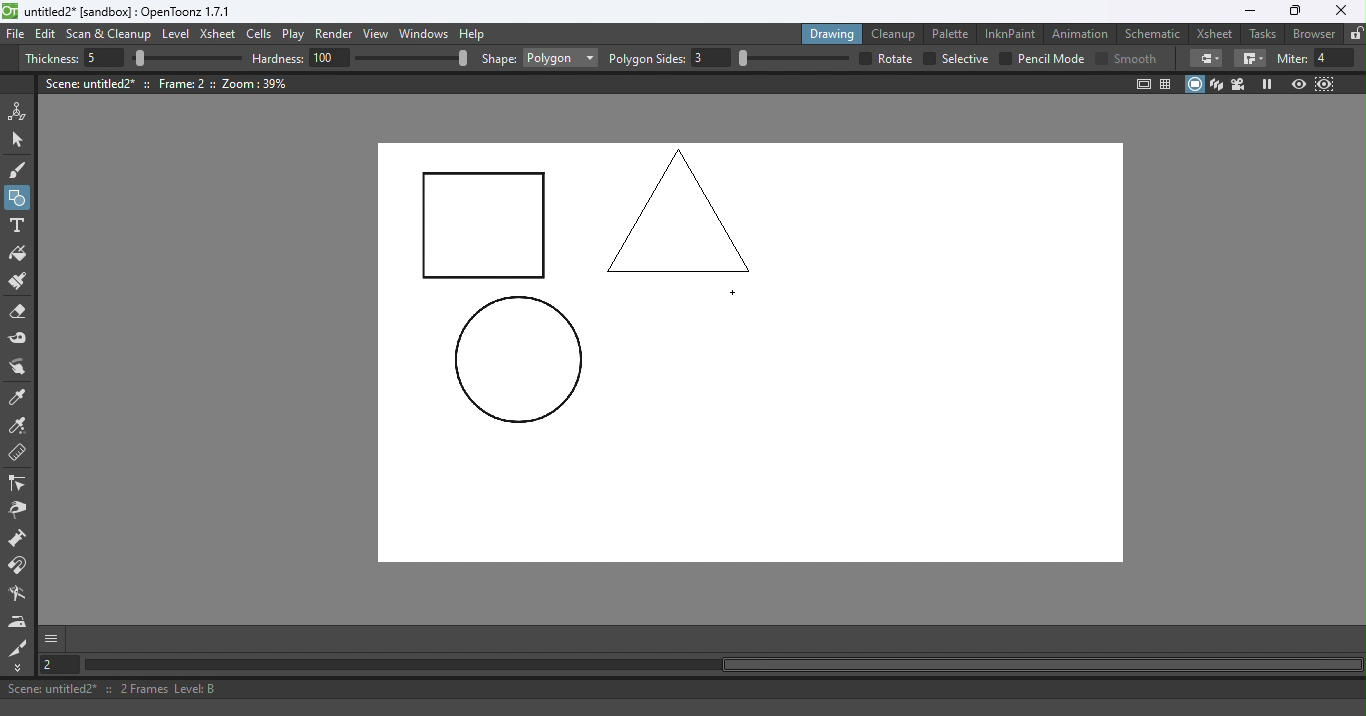 The height and width of the screenshot is (716, 1366). Describe the element at coordinates (1298, 85) in the screenshot. I see `Preview` at that location.